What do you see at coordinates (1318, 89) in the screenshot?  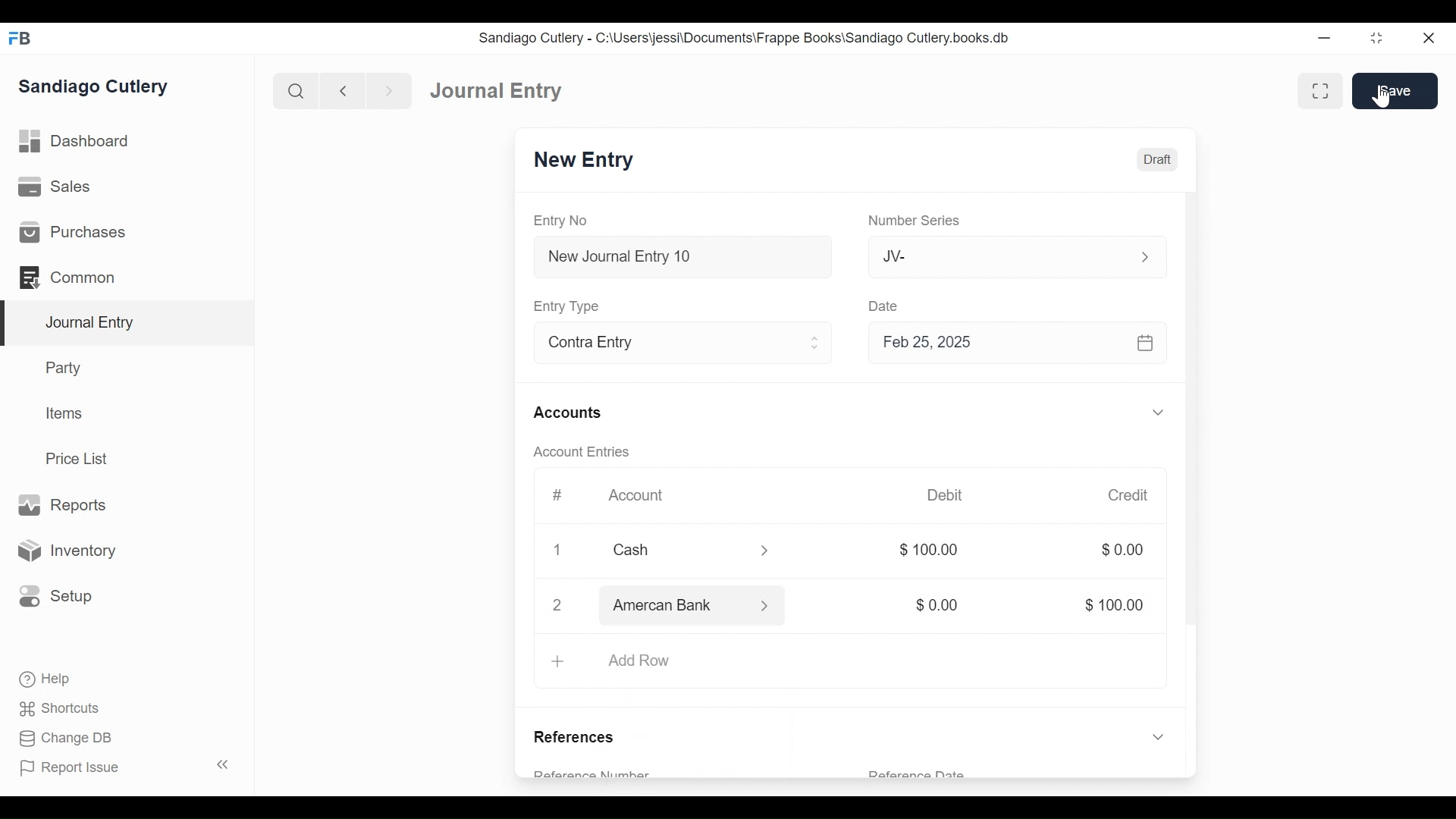 I see `Toggle between form and full width` at bounding box center [1318, 89].